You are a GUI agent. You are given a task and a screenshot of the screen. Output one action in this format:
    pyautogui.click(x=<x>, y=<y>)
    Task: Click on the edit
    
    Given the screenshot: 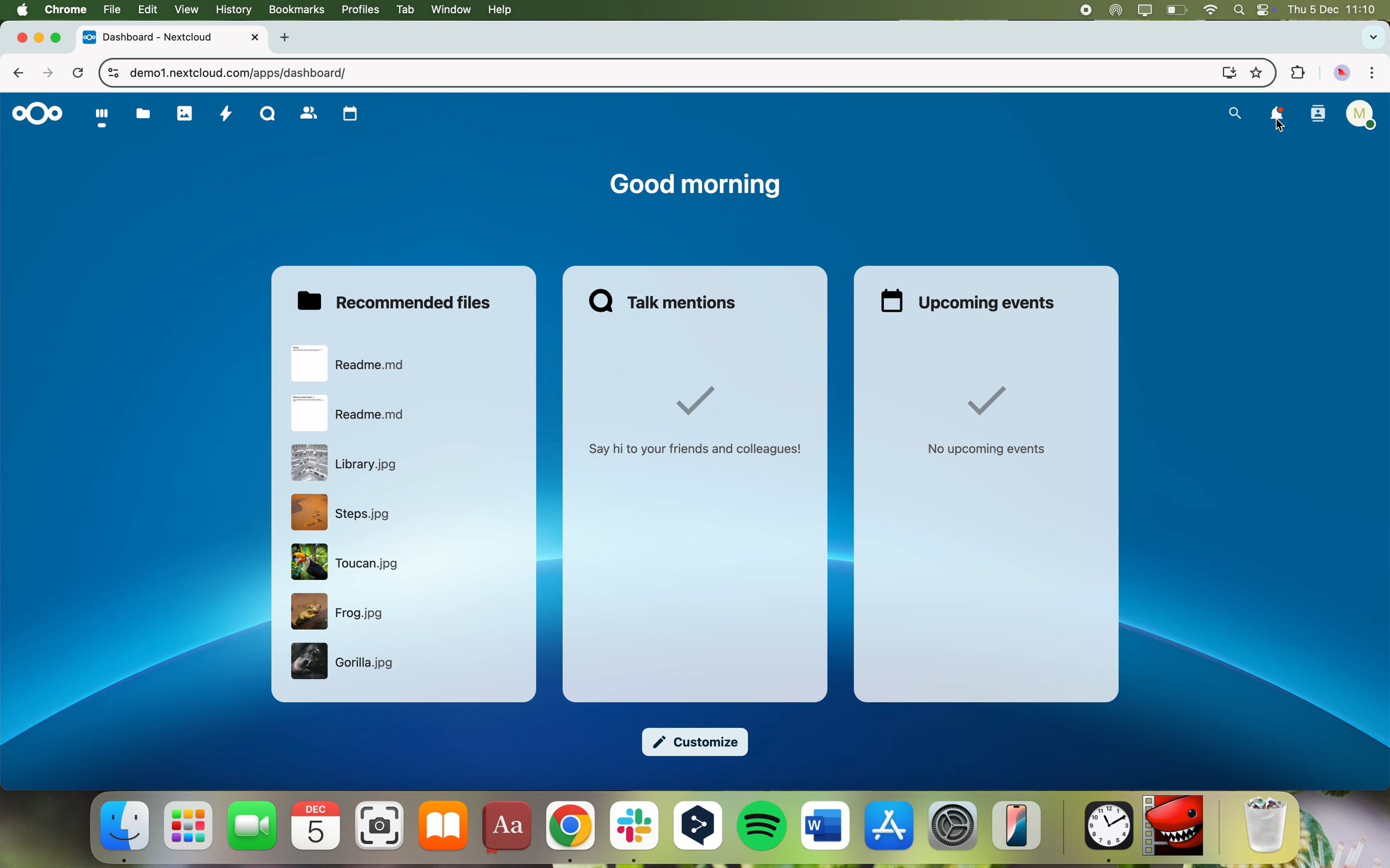 What is the action you would take?
    pyautogui.click(x=146, y=10)
    